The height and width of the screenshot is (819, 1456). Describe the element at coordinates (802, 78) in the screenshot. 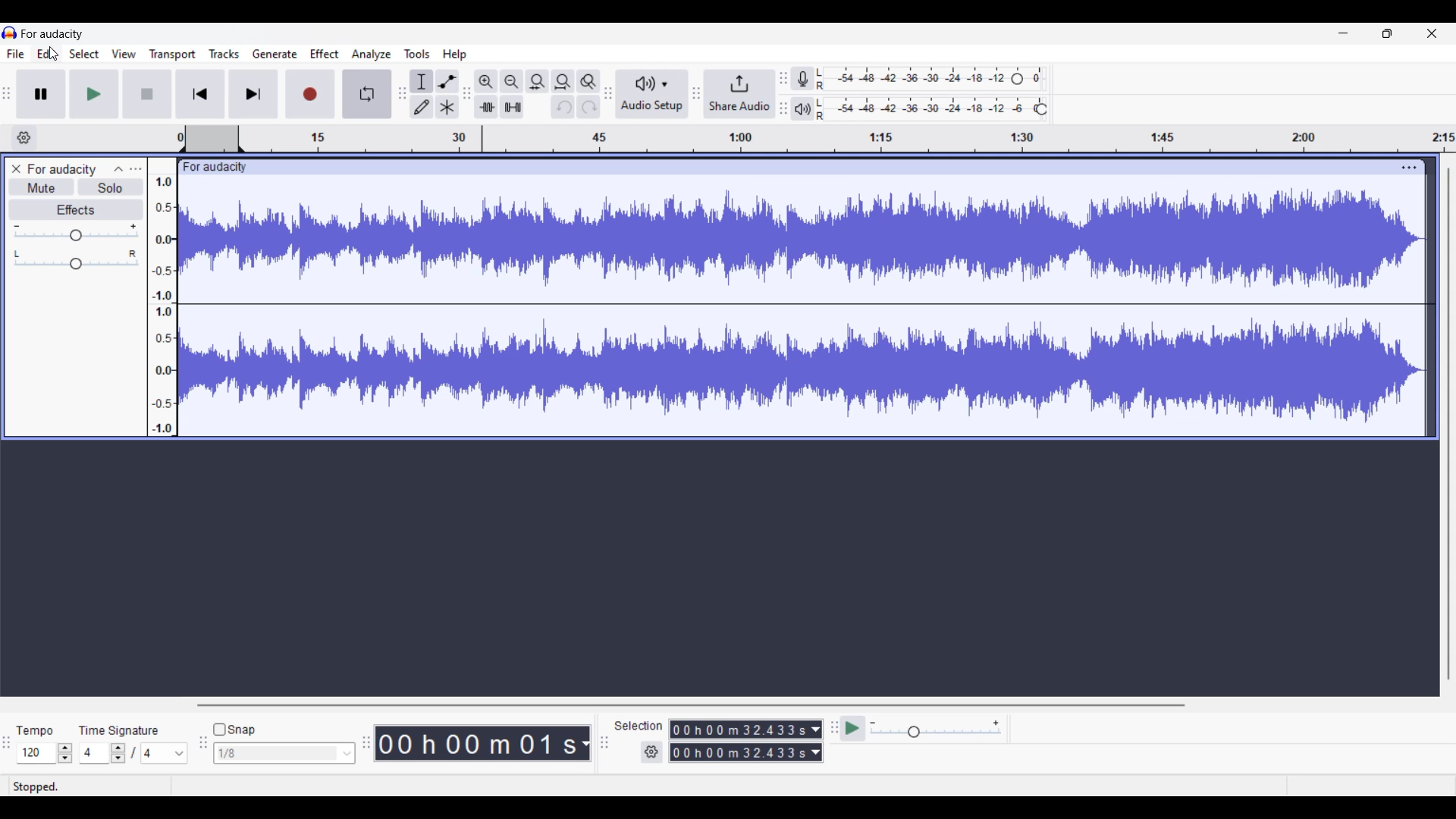

I see `Record meter` at that location.